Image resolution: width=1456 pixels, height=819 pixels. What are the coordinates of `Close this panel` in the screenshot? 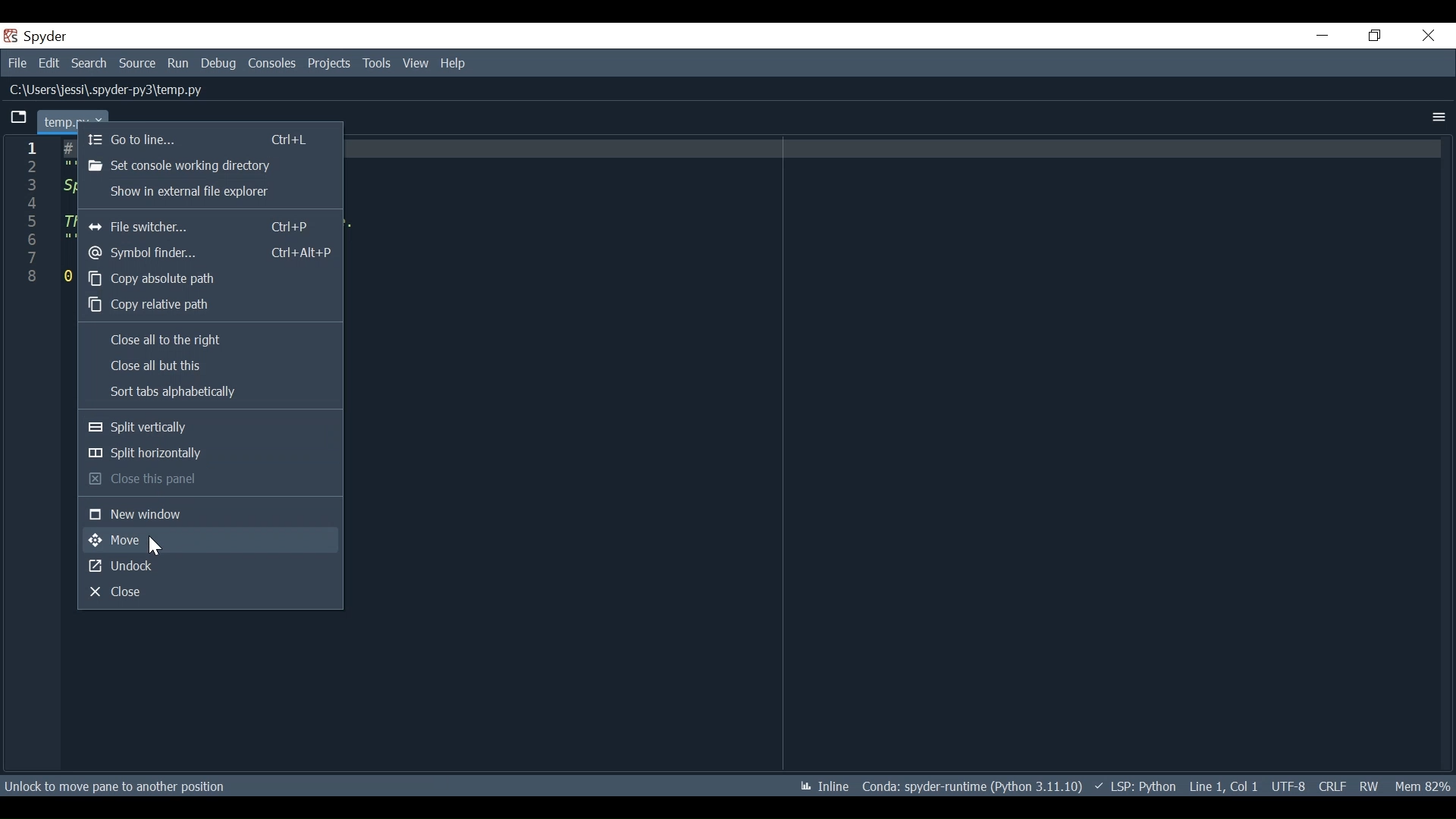 It's located at (211, 479).